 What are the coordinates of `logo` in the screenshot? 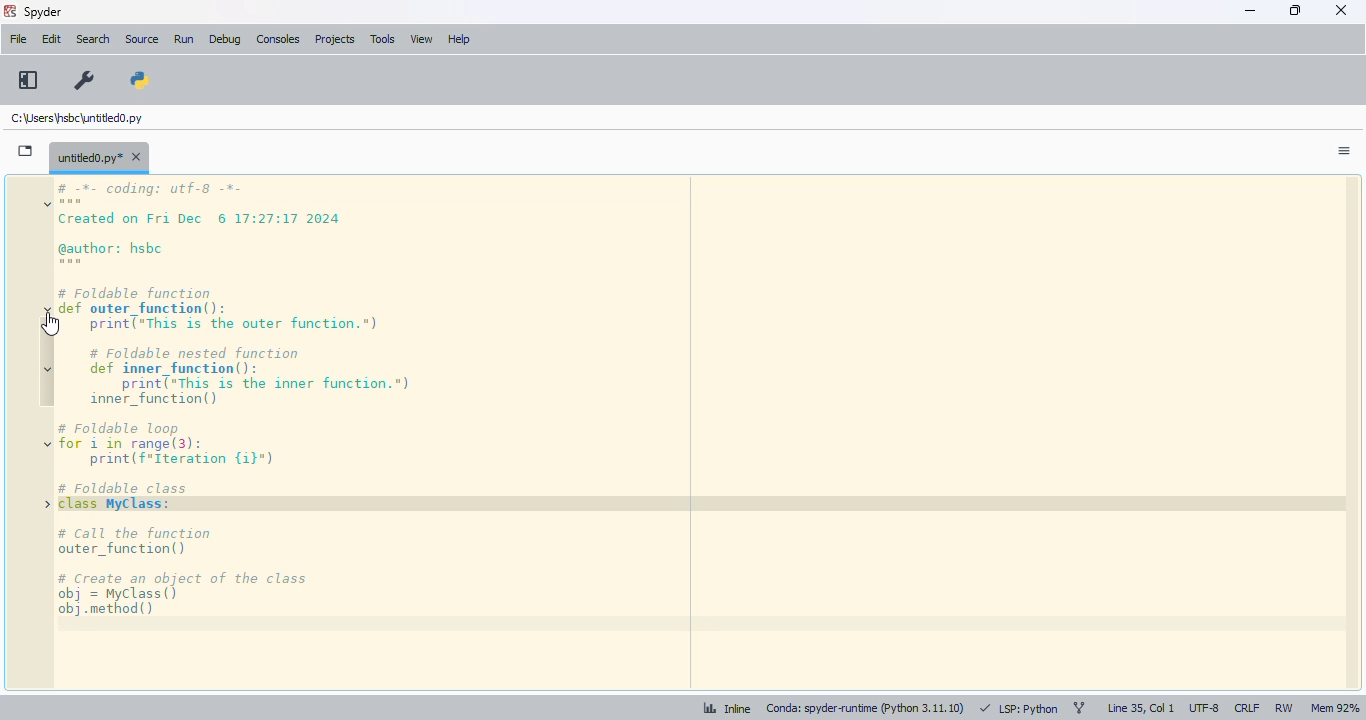 It's located at (9, 11).